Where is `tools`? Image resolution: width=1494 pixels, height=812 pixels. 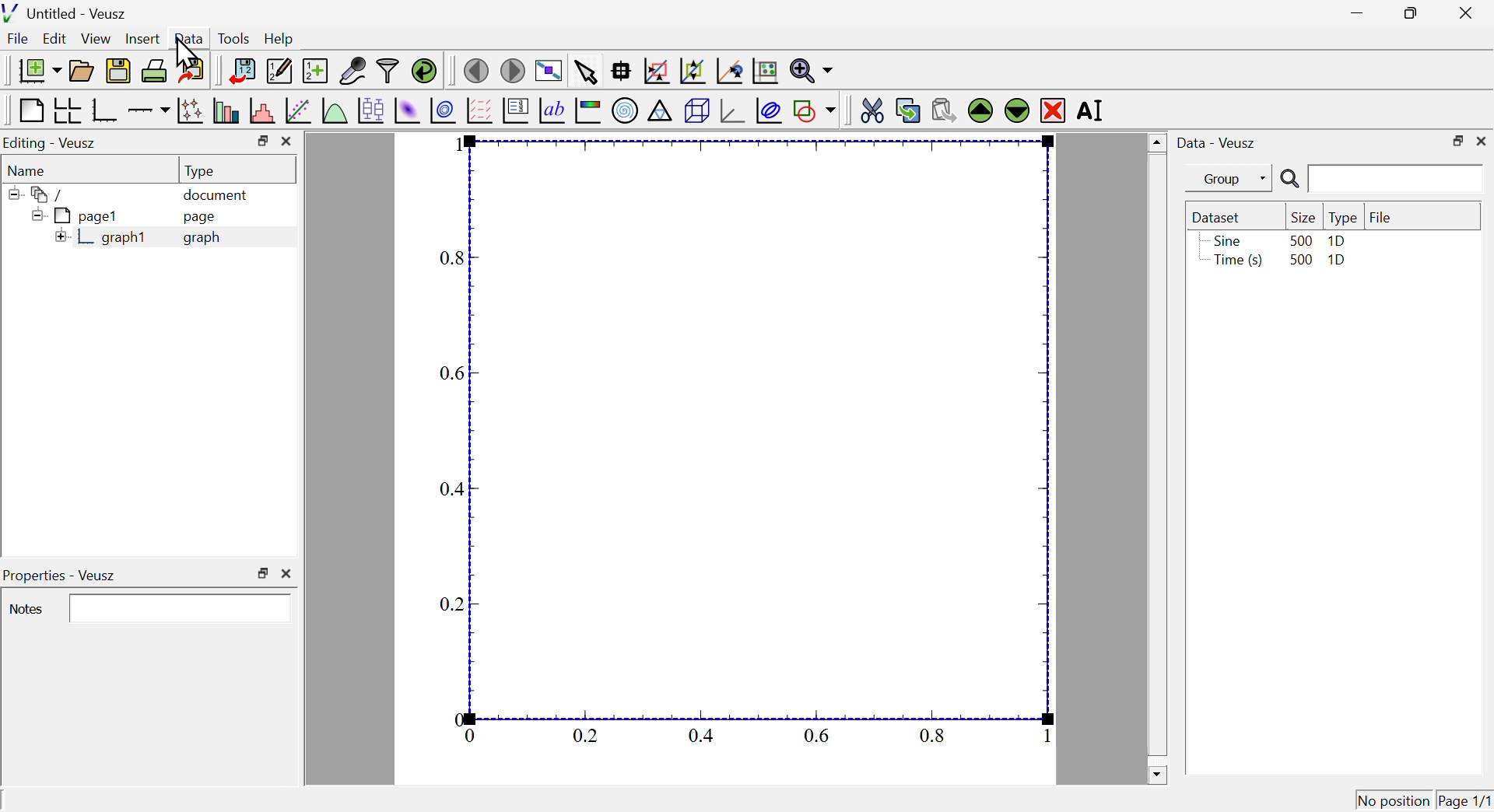
tools is located at coordinates (235, 37).